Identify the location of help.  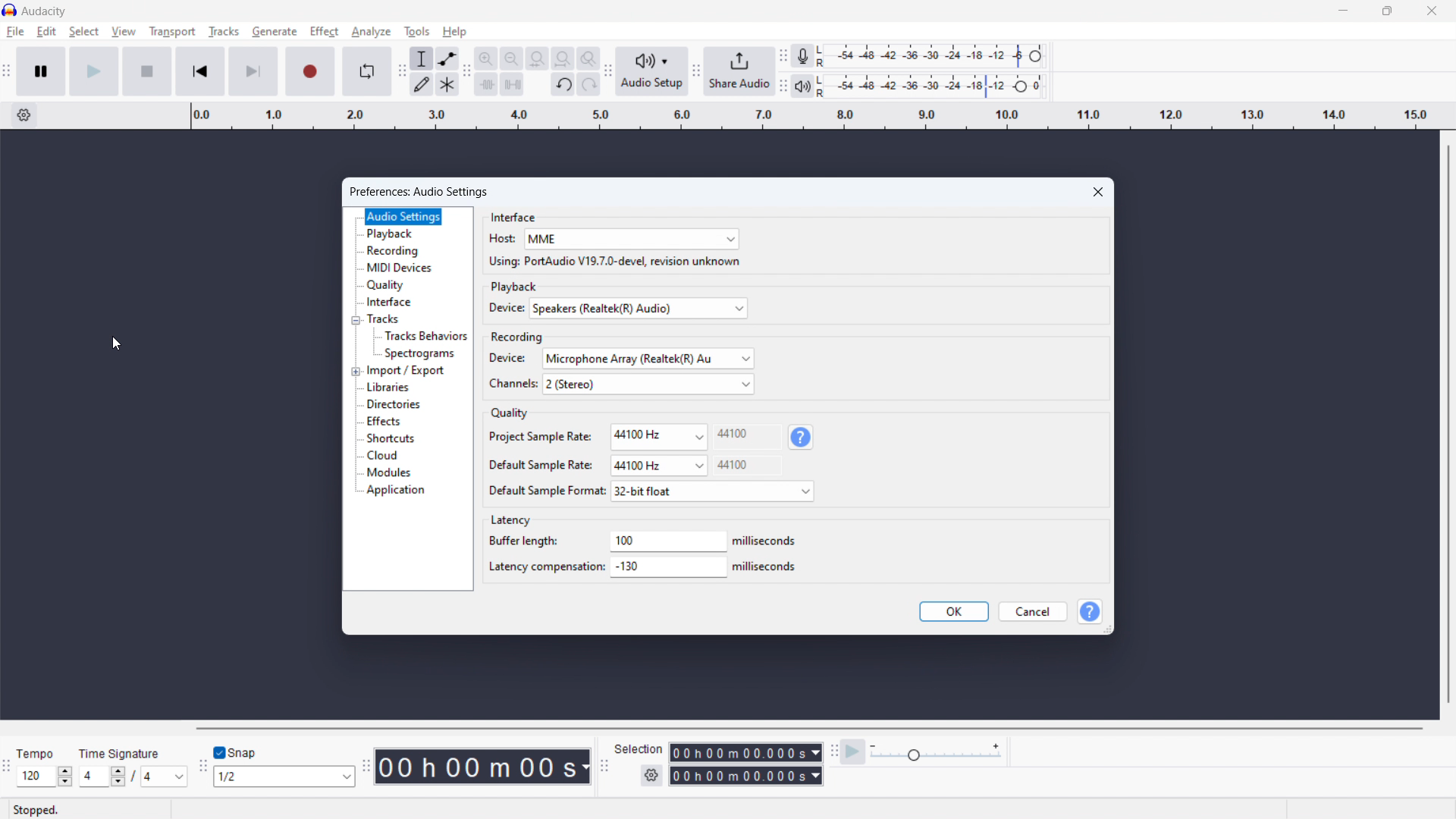
(456, 32).